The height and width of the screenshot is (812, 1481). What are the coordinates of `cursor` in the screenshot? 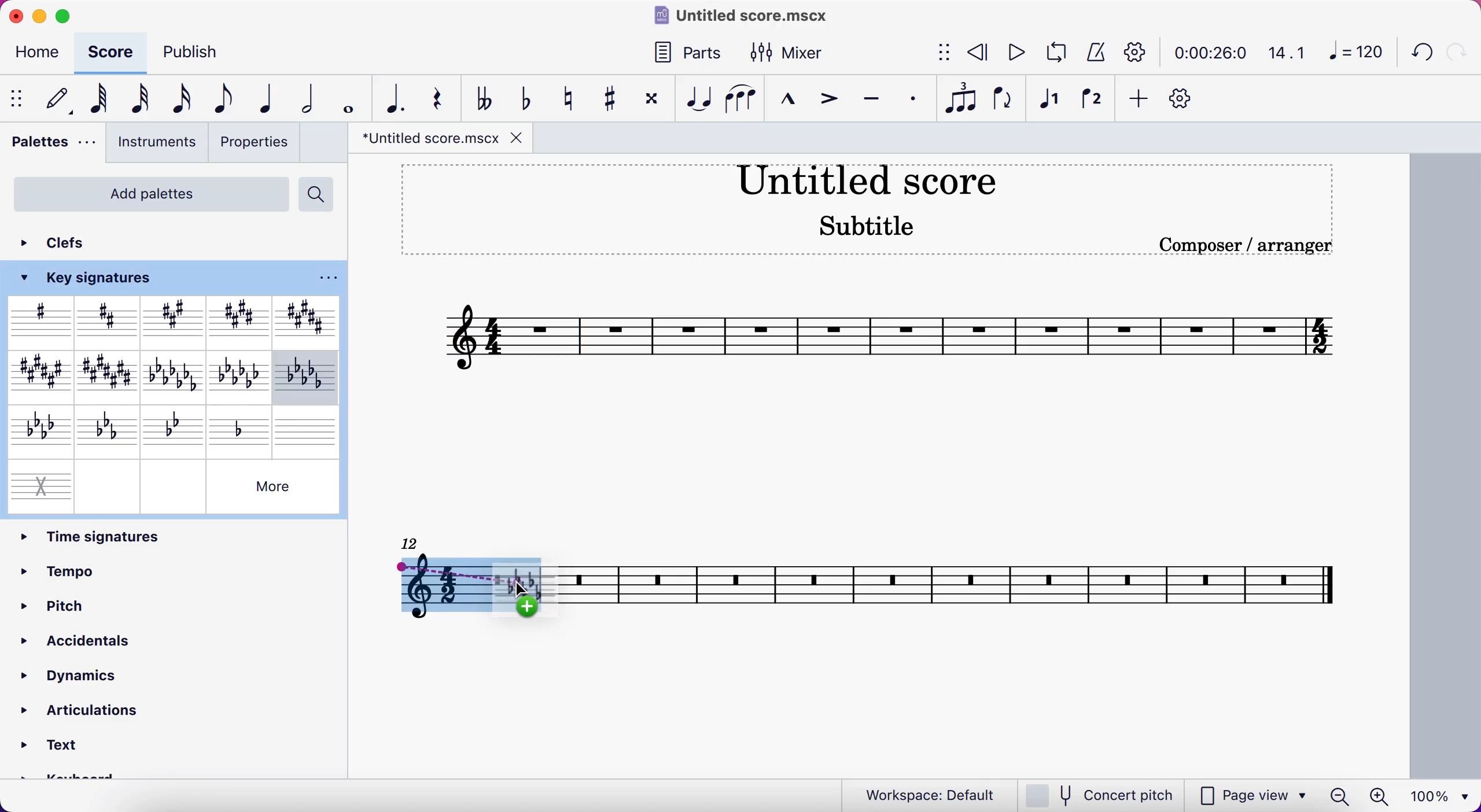 It's located at (520, 595).